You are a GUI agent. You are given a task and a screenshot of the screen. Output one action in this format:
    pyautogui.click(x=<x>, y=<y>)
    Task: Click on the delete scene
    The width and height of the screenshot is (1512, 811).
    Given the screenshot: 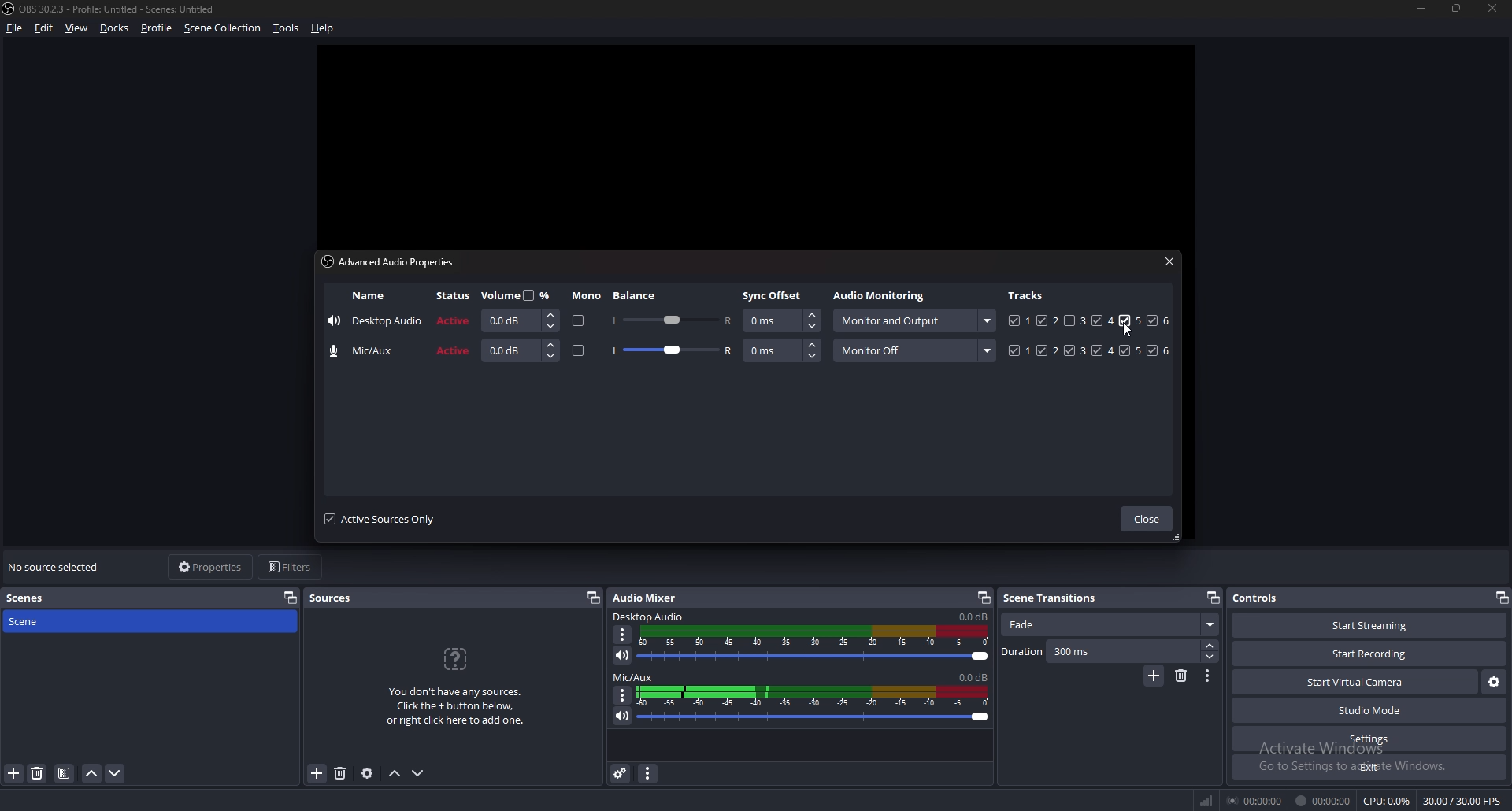 What is the action you would take?
    pyautogui.click(x=39, y=774)
    